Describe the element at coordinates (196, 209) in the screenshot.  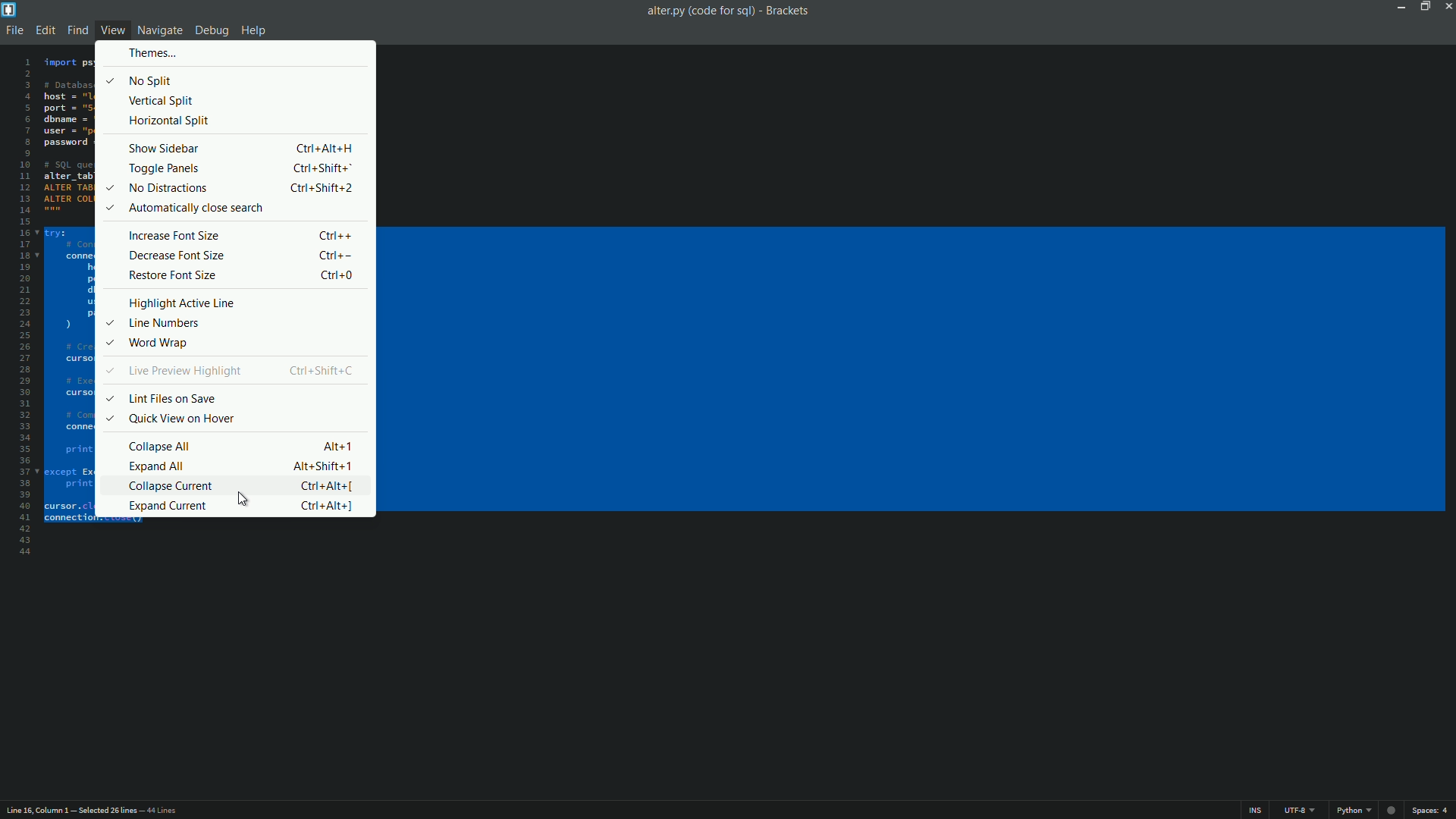
I see `automatically close search` at that location.